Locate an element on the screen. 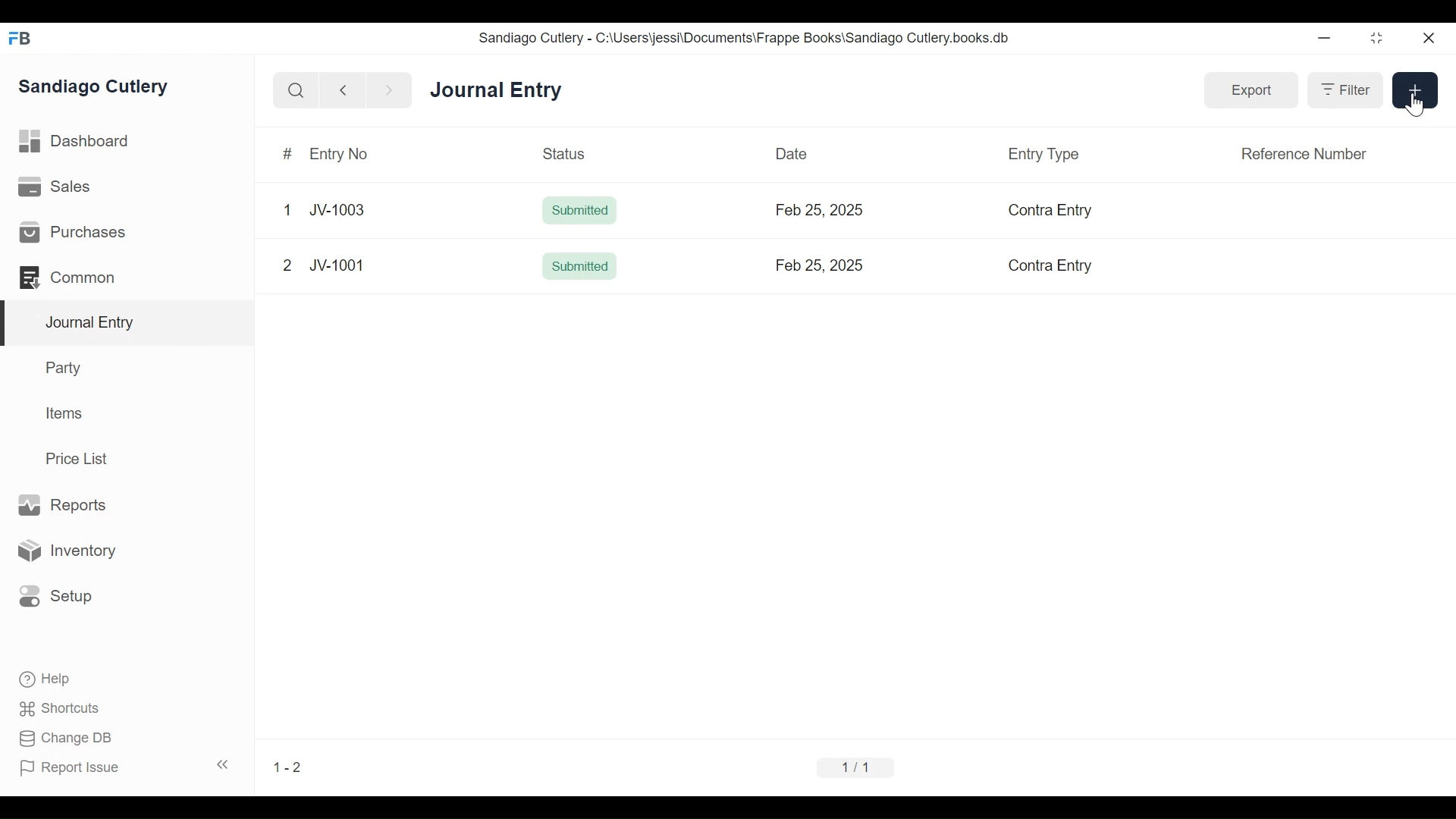 Image resolution: width=1456 pixels, height=819 pixels. Navigate forward is located at coordinates (388, 91).